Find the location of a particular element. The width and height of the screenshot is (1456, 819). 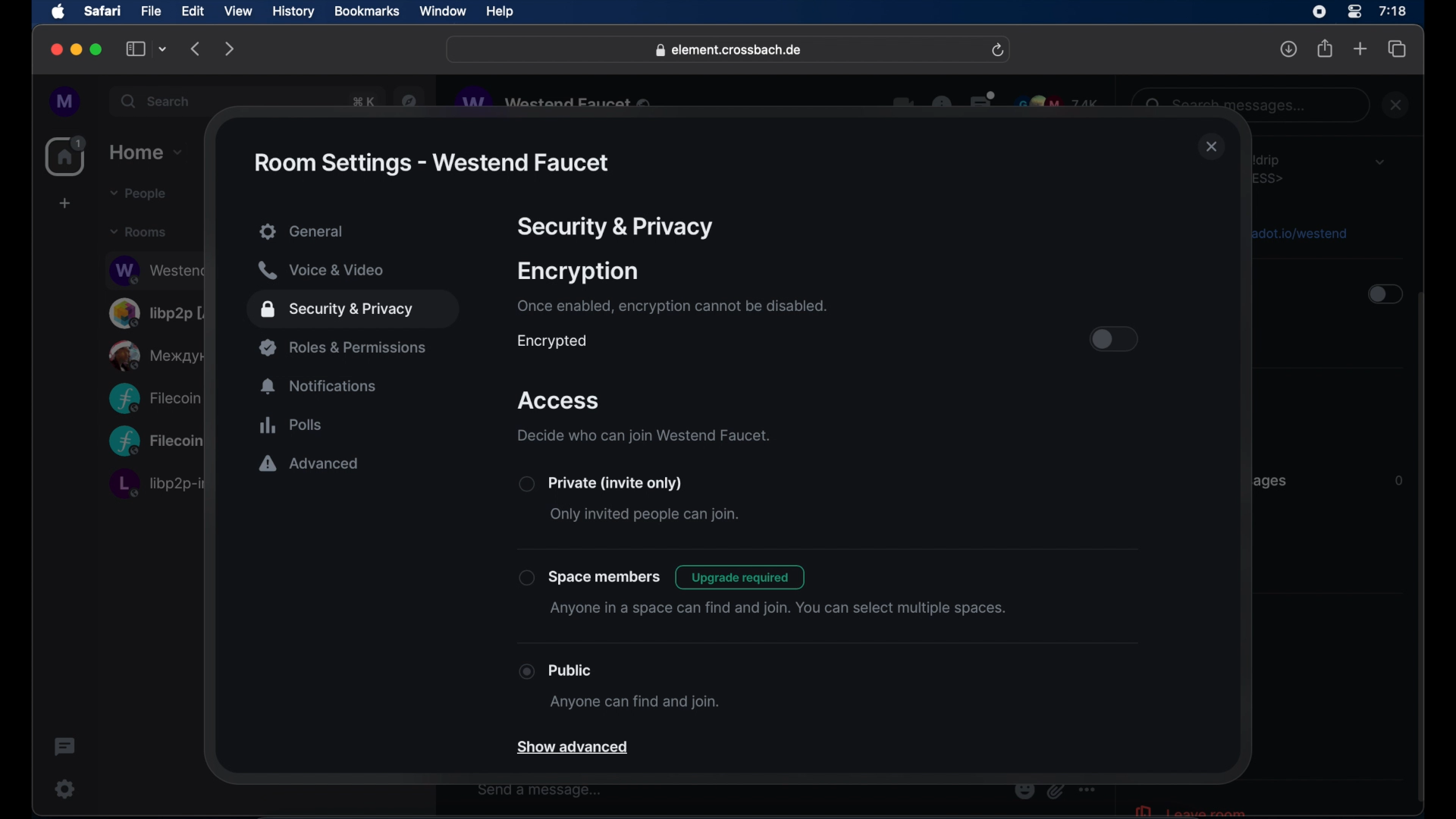

toggle button is located at coordinates (1383, 296).